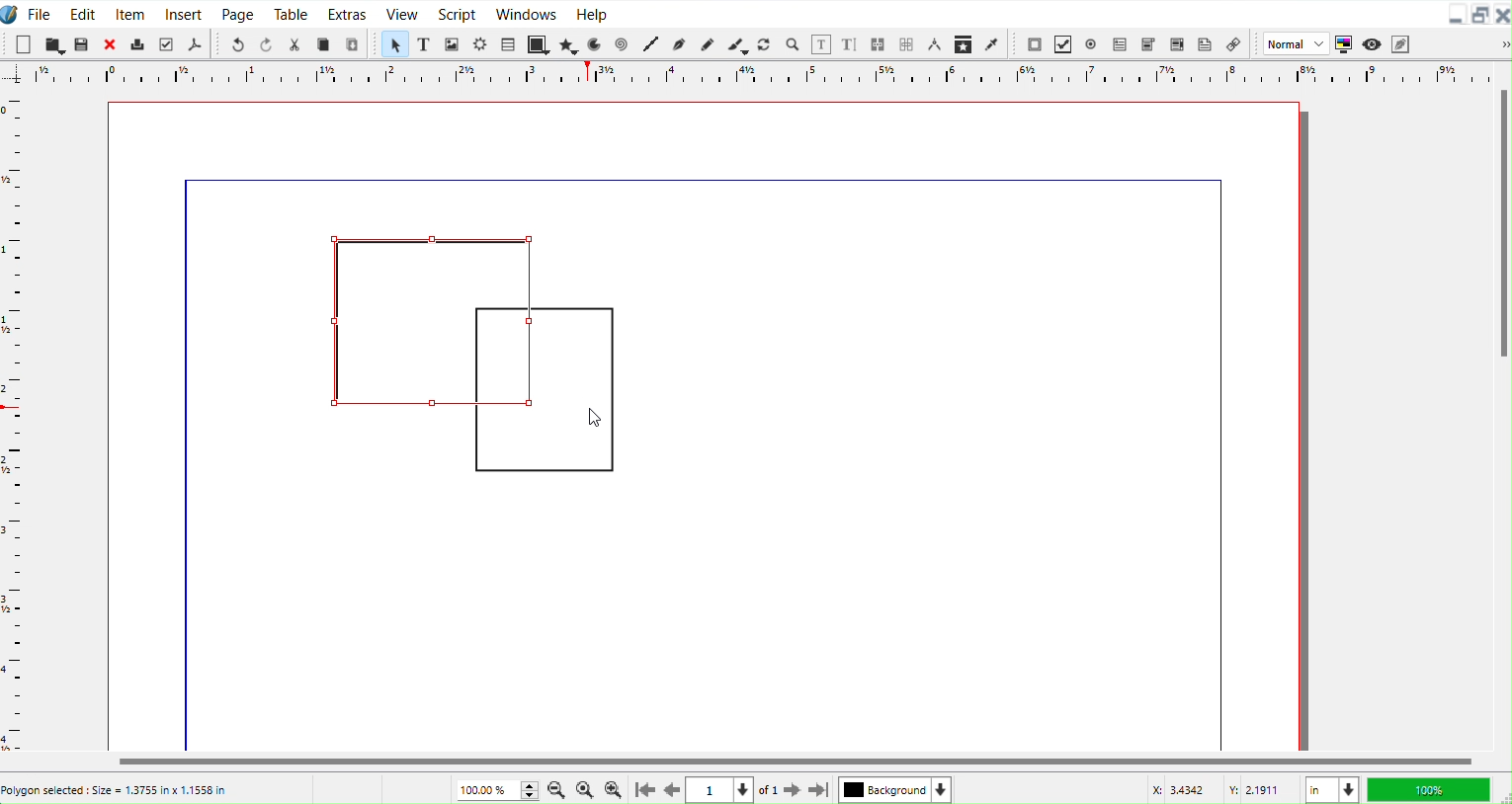 The height and width of the screenshot is (804, 1512). Describe the element at coordinates (41, 13) in the screenshot. I see `File` at that location.